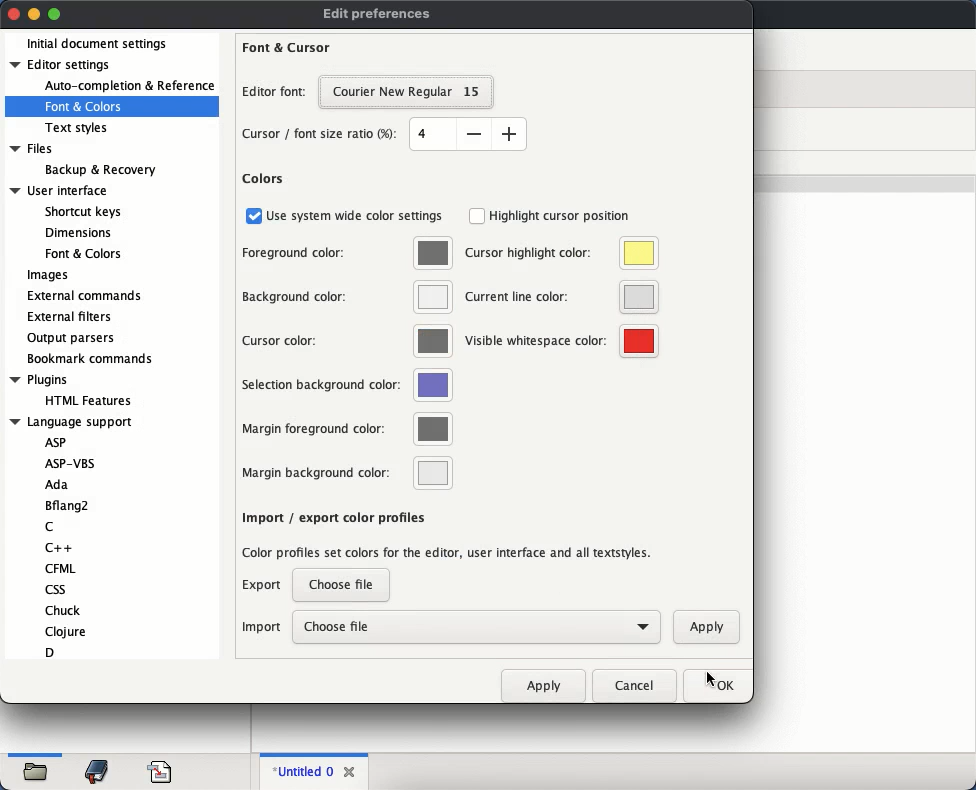  I want to click on cancel, so click(634, 683).